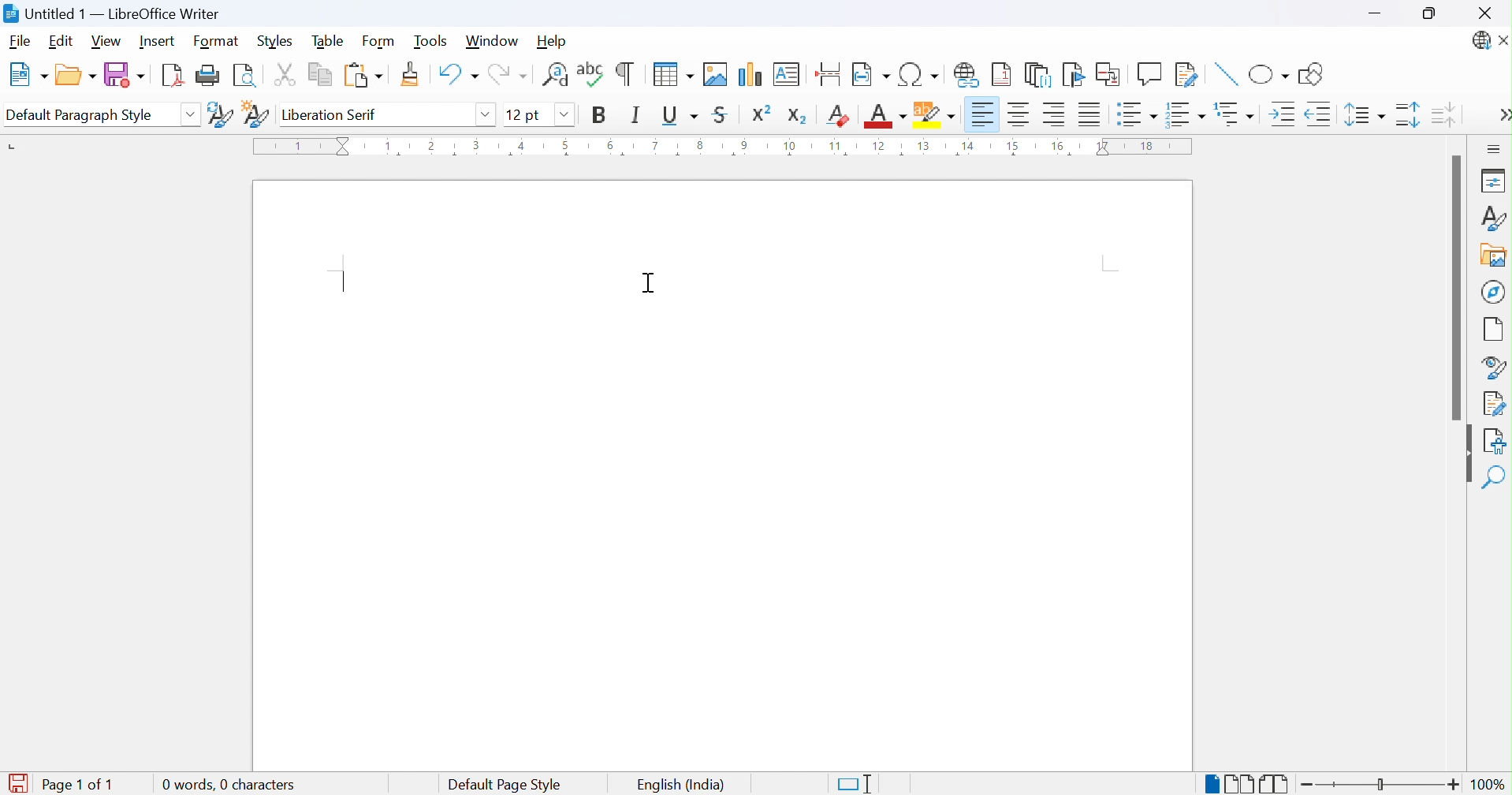  What do you see at coordinates (209, 75) in the screenshot?
I see `Print` at bounding box center [209, 75].